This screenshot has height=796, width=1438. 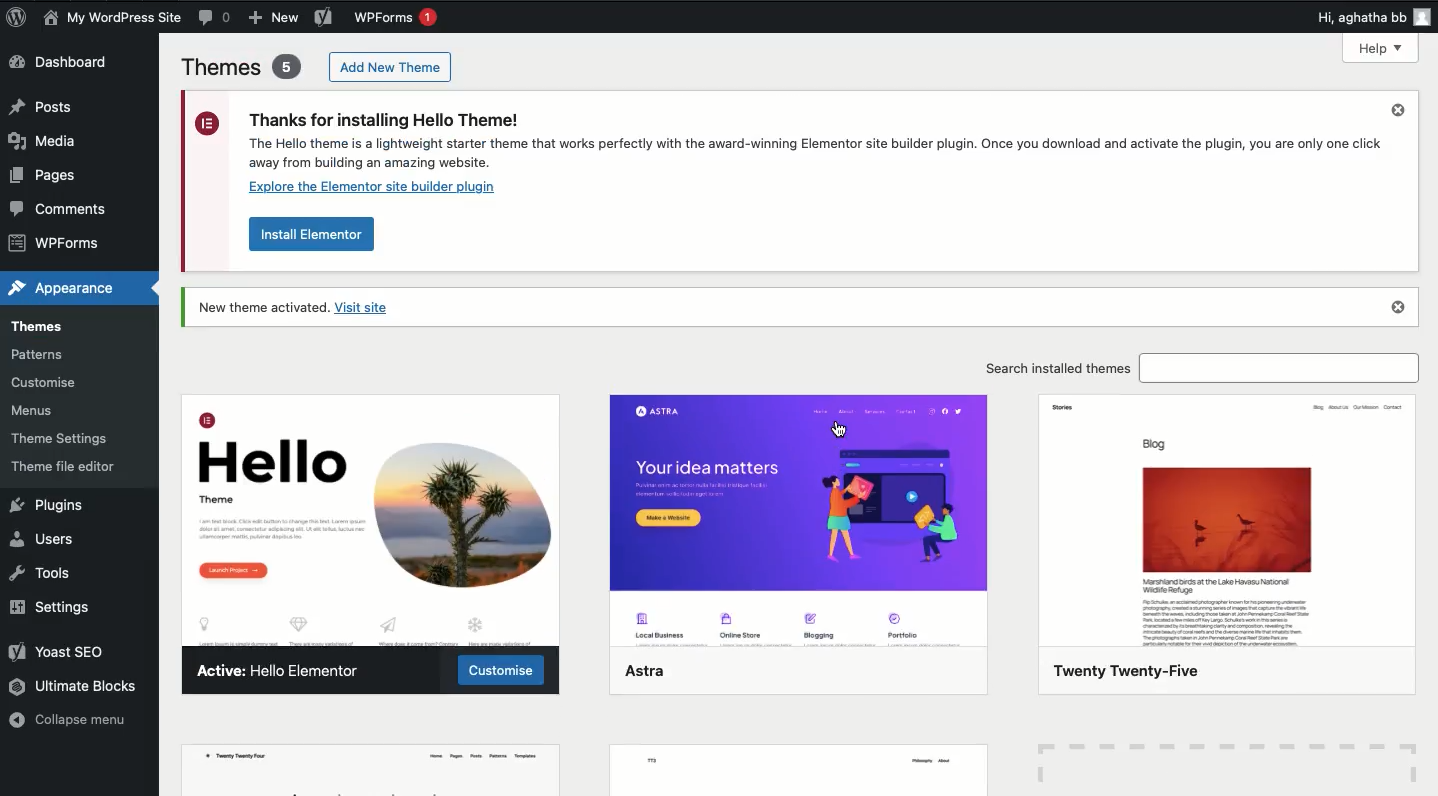 What do you see at coordinates (74, 468) in the screenshot?
I see `Theme file editor` at bounding box center [74, 468].